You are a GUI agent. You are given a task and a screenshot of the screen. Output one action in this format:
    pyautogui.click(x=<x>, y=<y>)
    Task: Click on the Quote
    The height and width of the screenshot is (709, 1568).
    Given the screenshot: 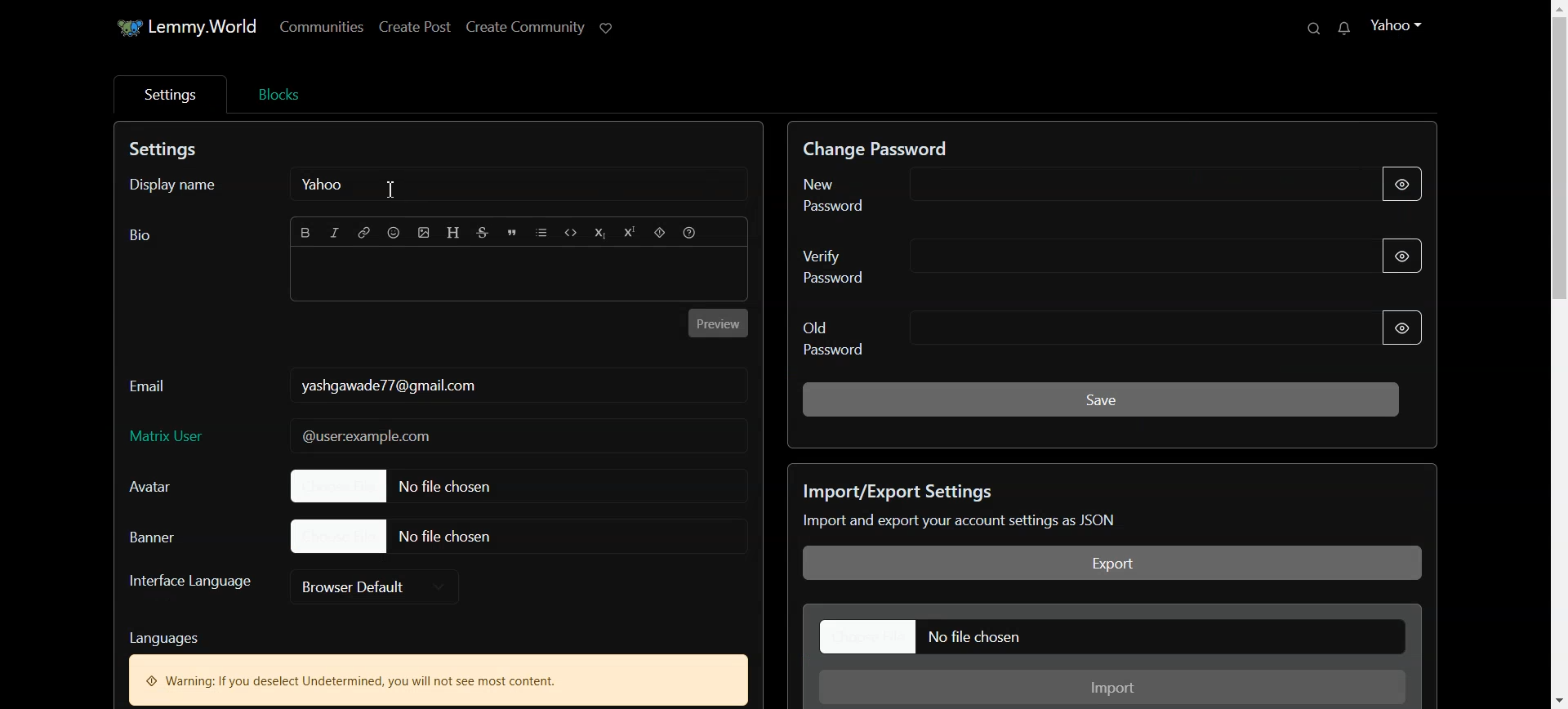 What is the action you would take?
    pyautogui.click(x=513, y=234)
    